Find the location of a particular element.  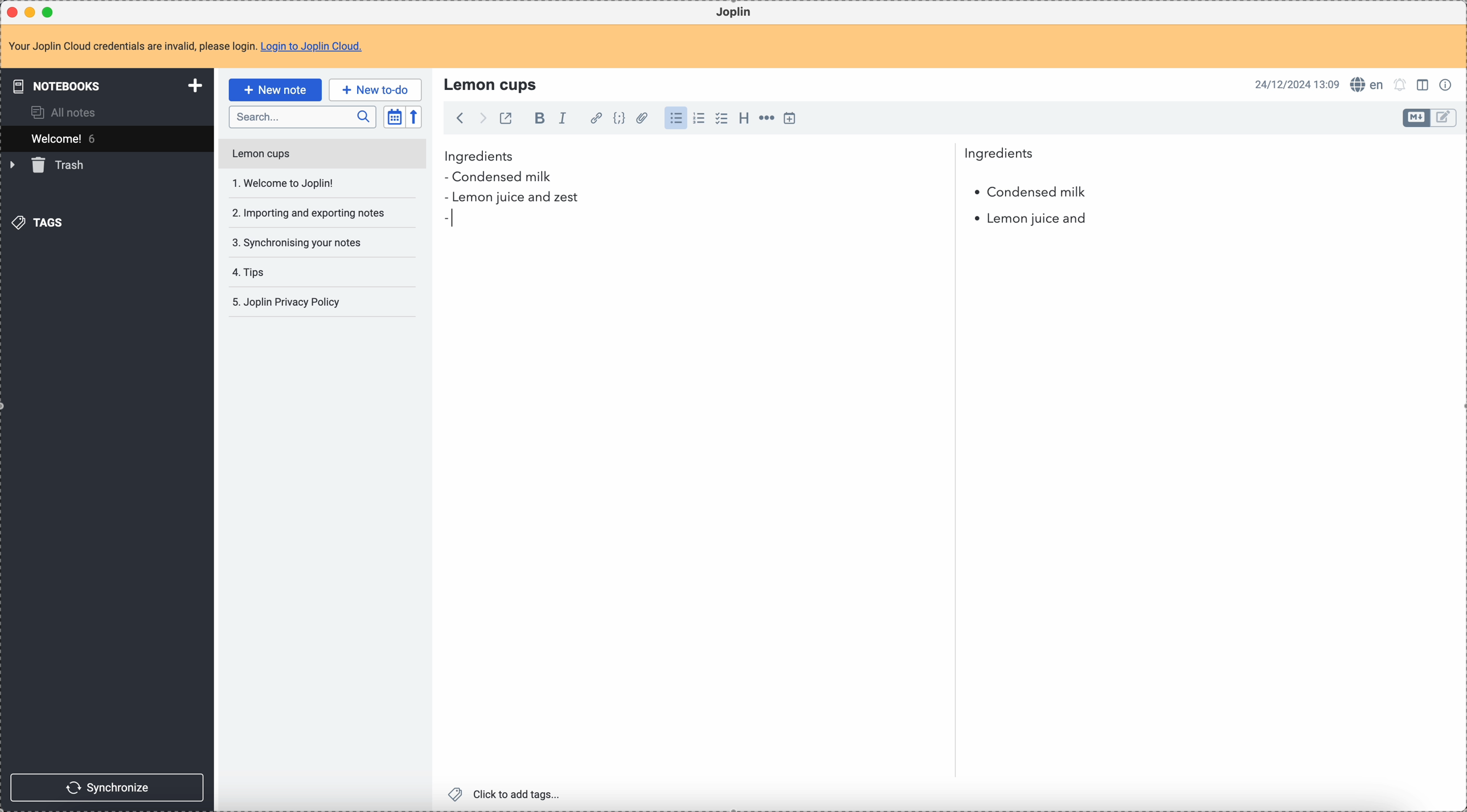

toggle edit layout is located at coordinates (1424, 84).